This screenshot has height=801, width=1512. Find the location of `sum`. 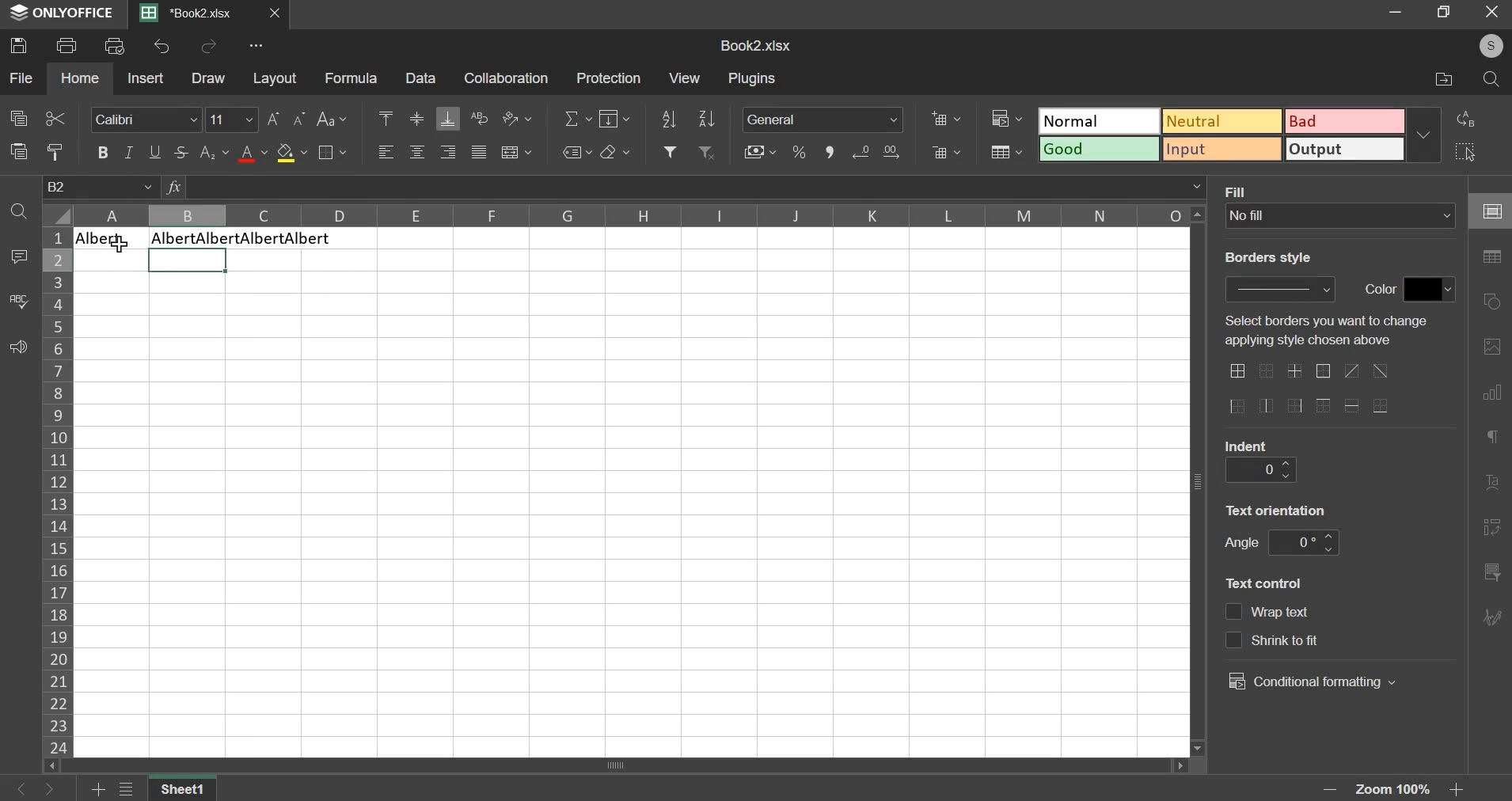

sum is located at coordinates (578, 120).